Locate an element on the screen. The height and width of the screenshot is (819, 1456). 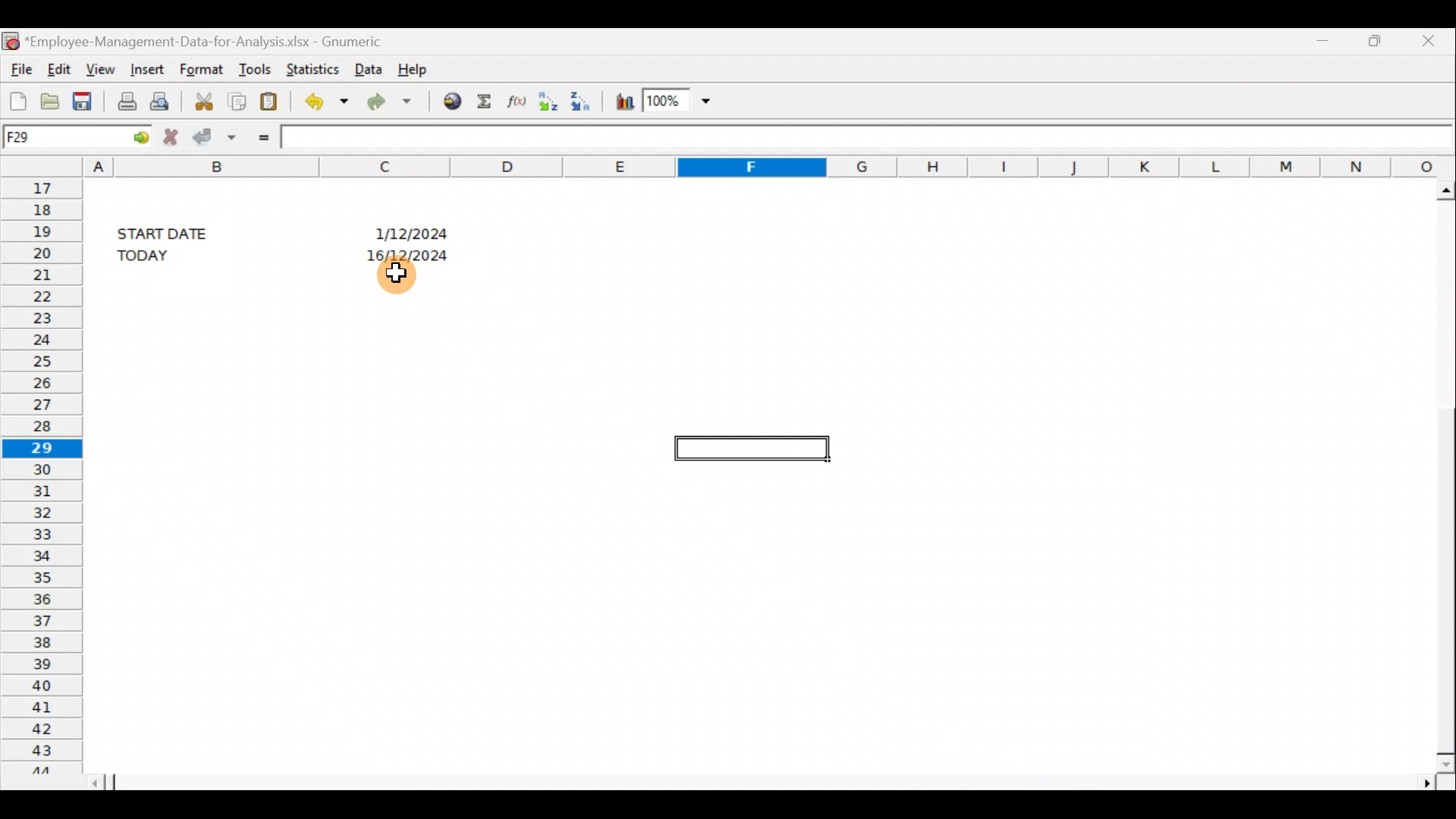
16/12/2024 is located at coordinates (411, 253).